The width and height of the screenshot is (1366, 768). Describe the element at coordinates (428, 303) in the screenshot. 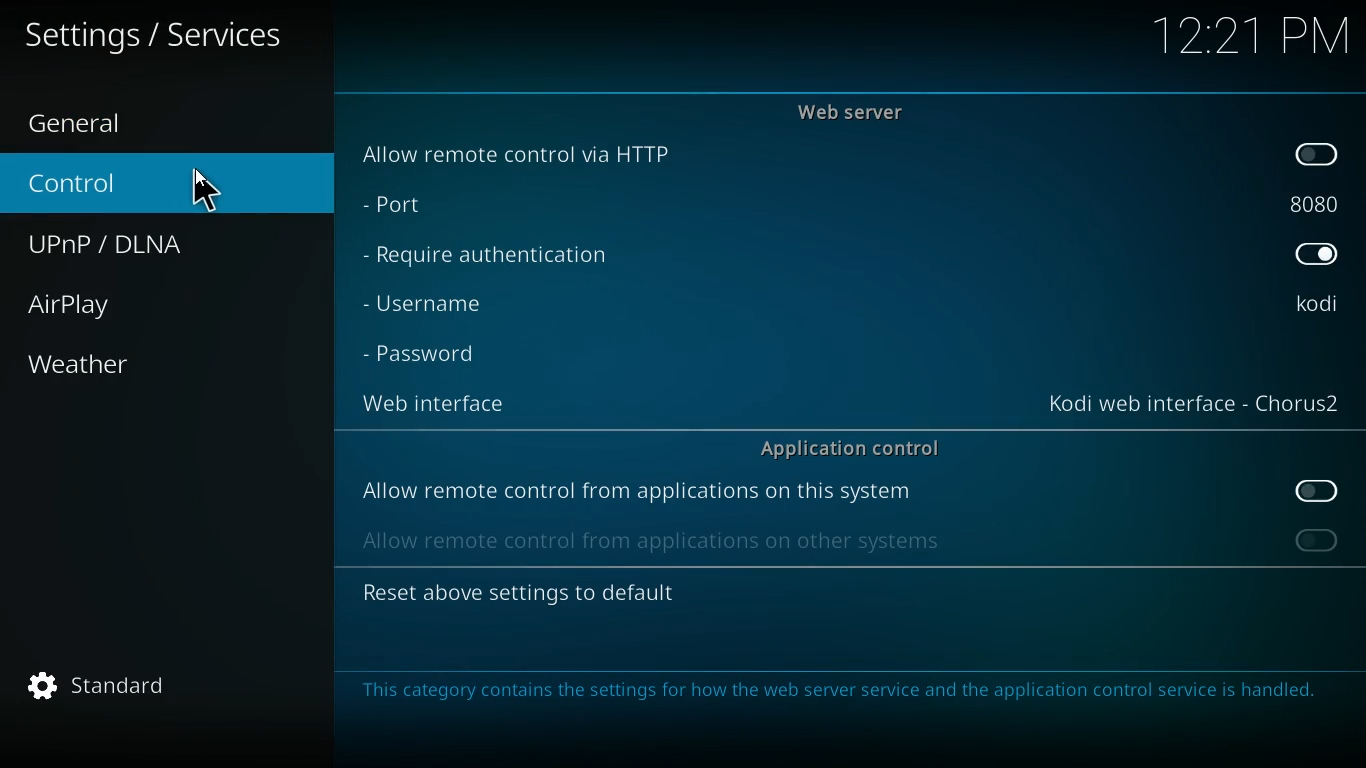

I see `username` at that location.